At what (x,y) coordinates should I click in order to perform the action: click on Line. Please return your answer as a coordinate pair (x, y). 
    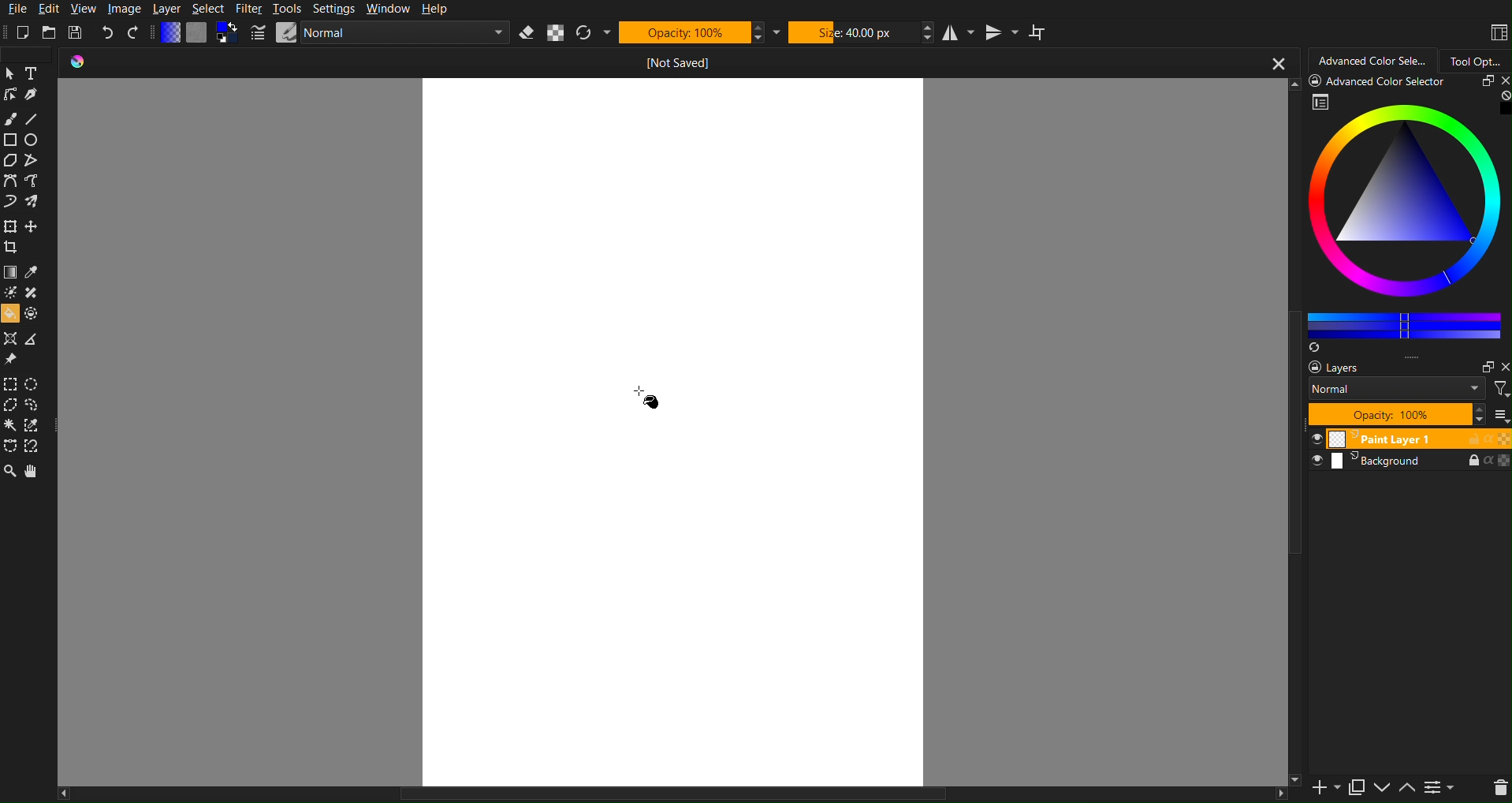
    Looking at the image, I should click on (33, 115).